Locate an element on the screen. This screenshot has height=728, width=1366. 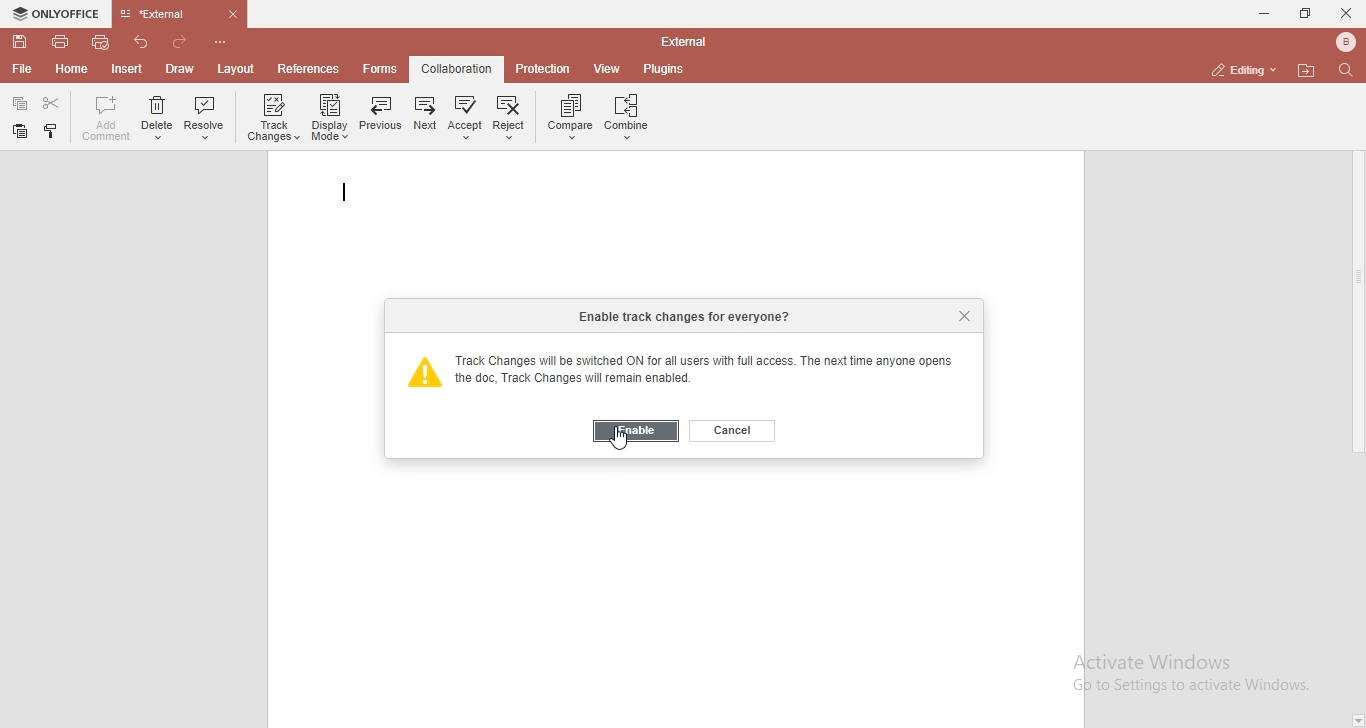
customise quick access toolbar is located at coordinates (220, 41).